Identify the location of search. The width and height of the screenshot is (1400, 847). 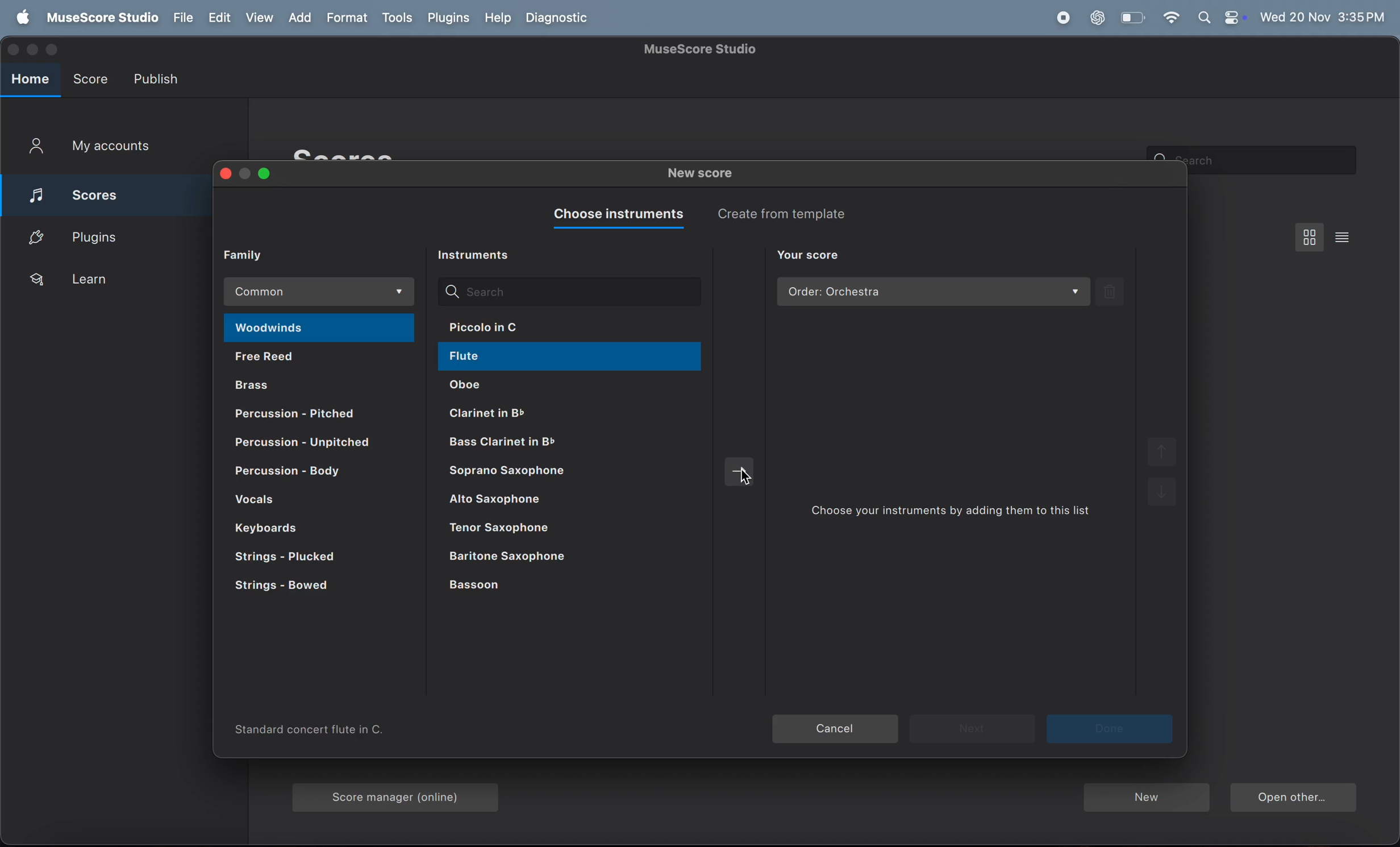
(568, 291).